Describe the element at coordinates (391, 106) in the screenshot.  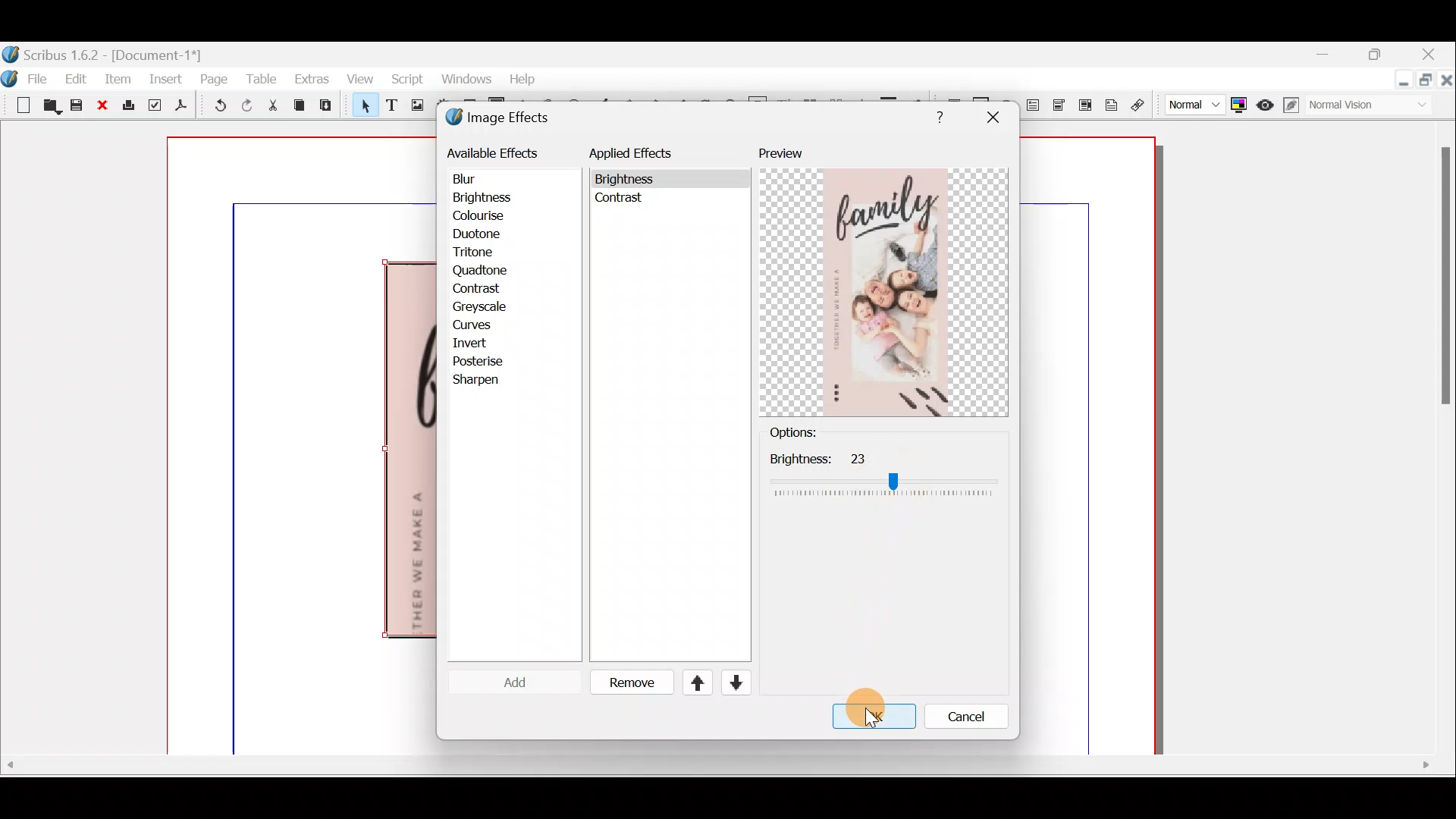
I see `Text frame` at that location.